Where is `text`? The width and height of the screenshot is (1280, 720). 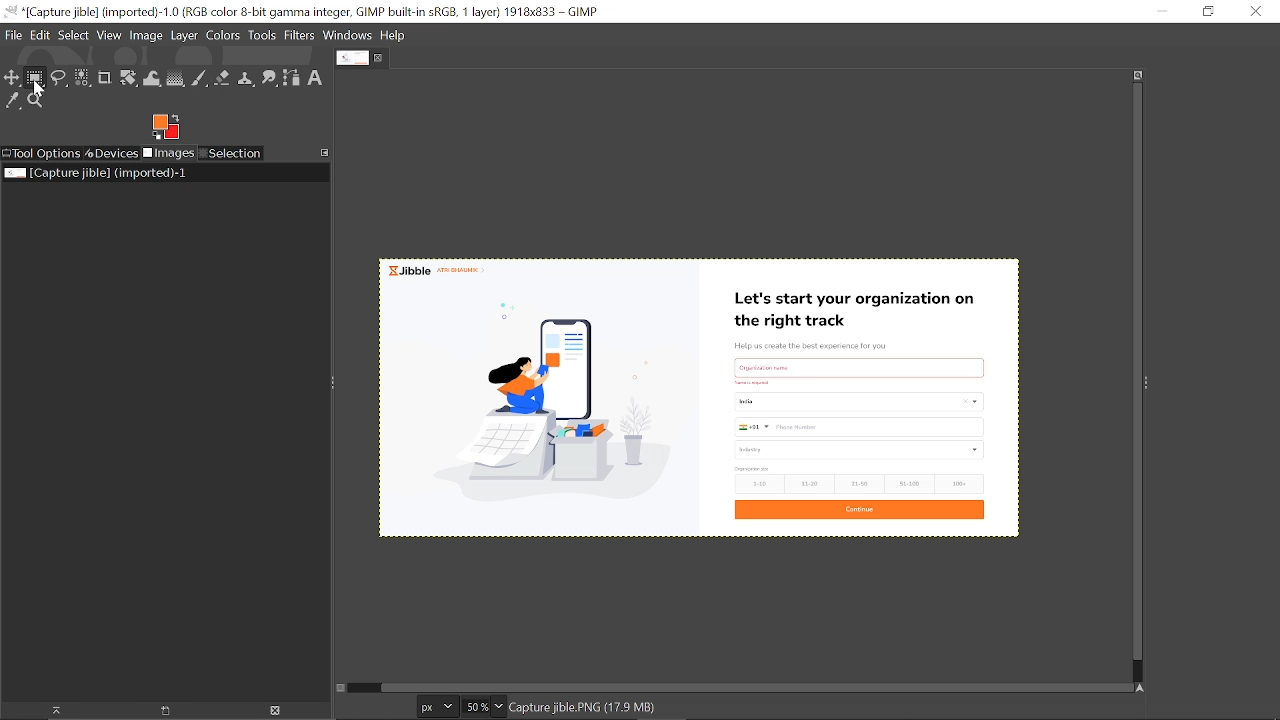
text is located at coordinates (860, 365).